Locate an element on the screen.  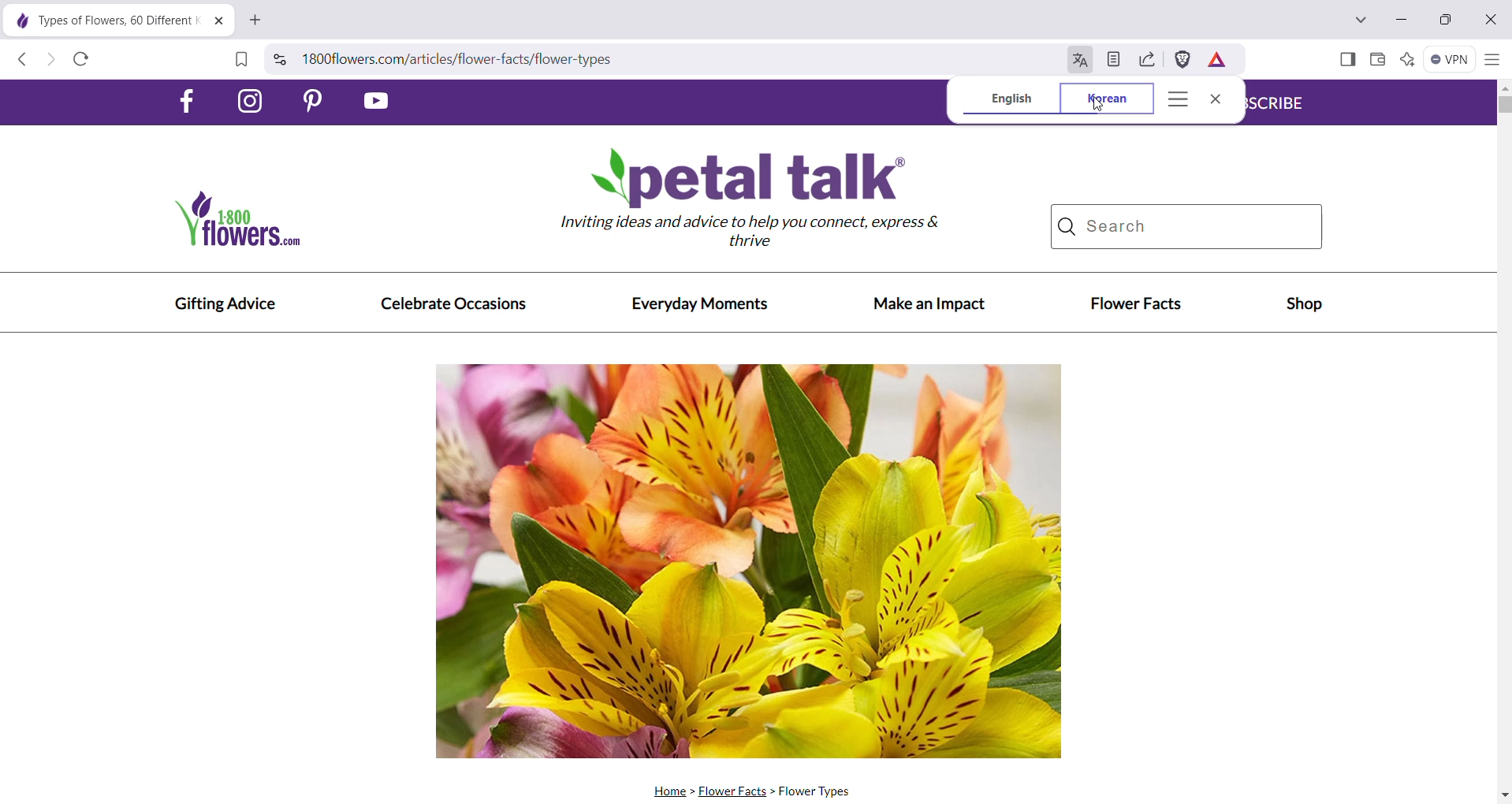
Brave Shields is located at coordinates (1181, 60).